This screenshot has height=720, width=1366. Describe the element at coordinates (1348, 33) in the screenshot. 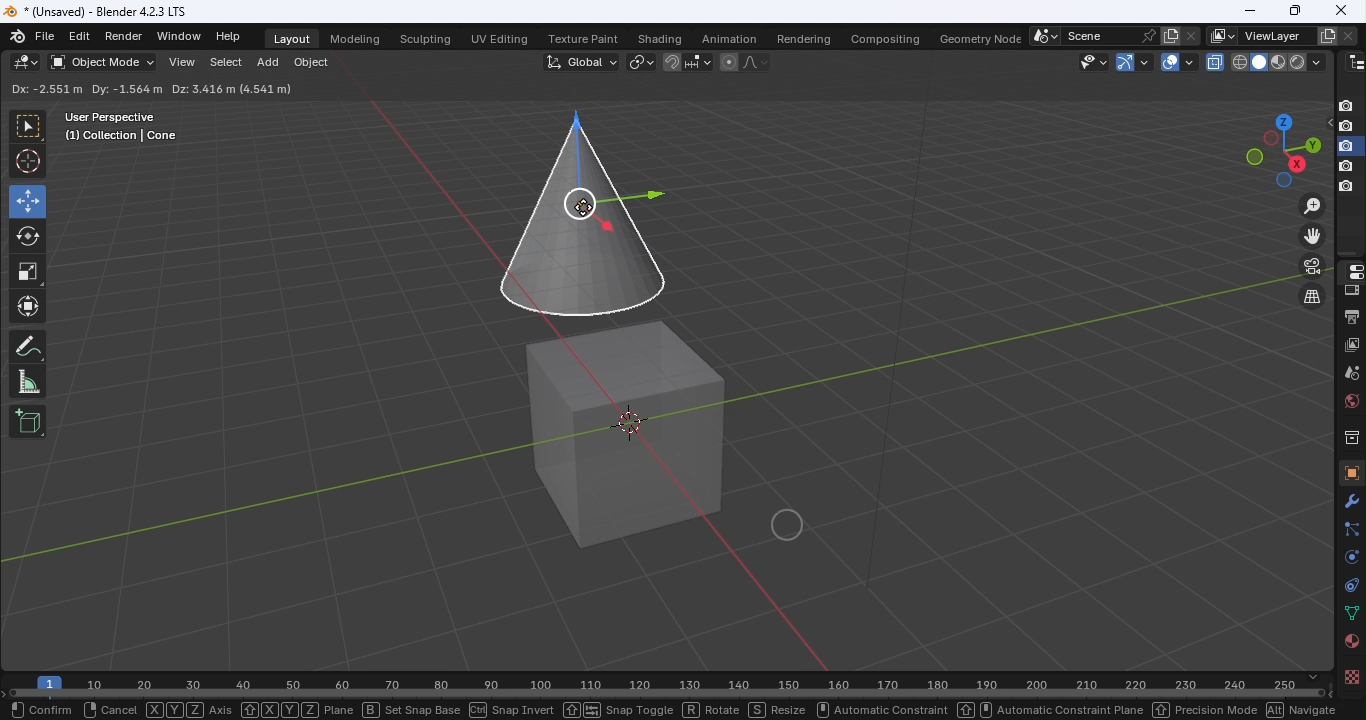

I see `Remove view layer` at that location.